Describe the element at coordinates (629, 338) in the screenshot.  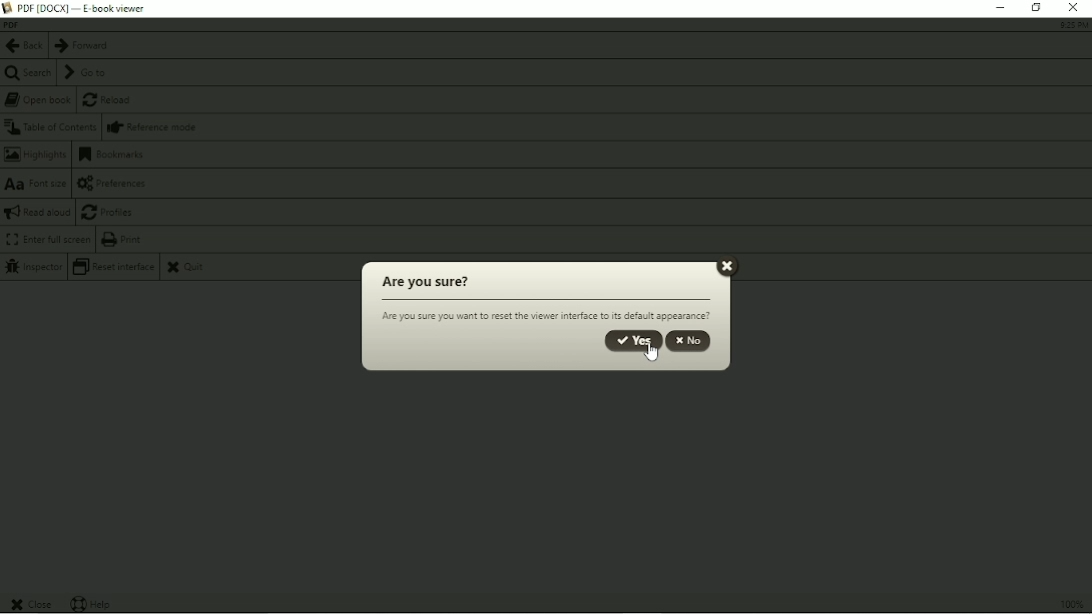
I see `Yes` at that location.